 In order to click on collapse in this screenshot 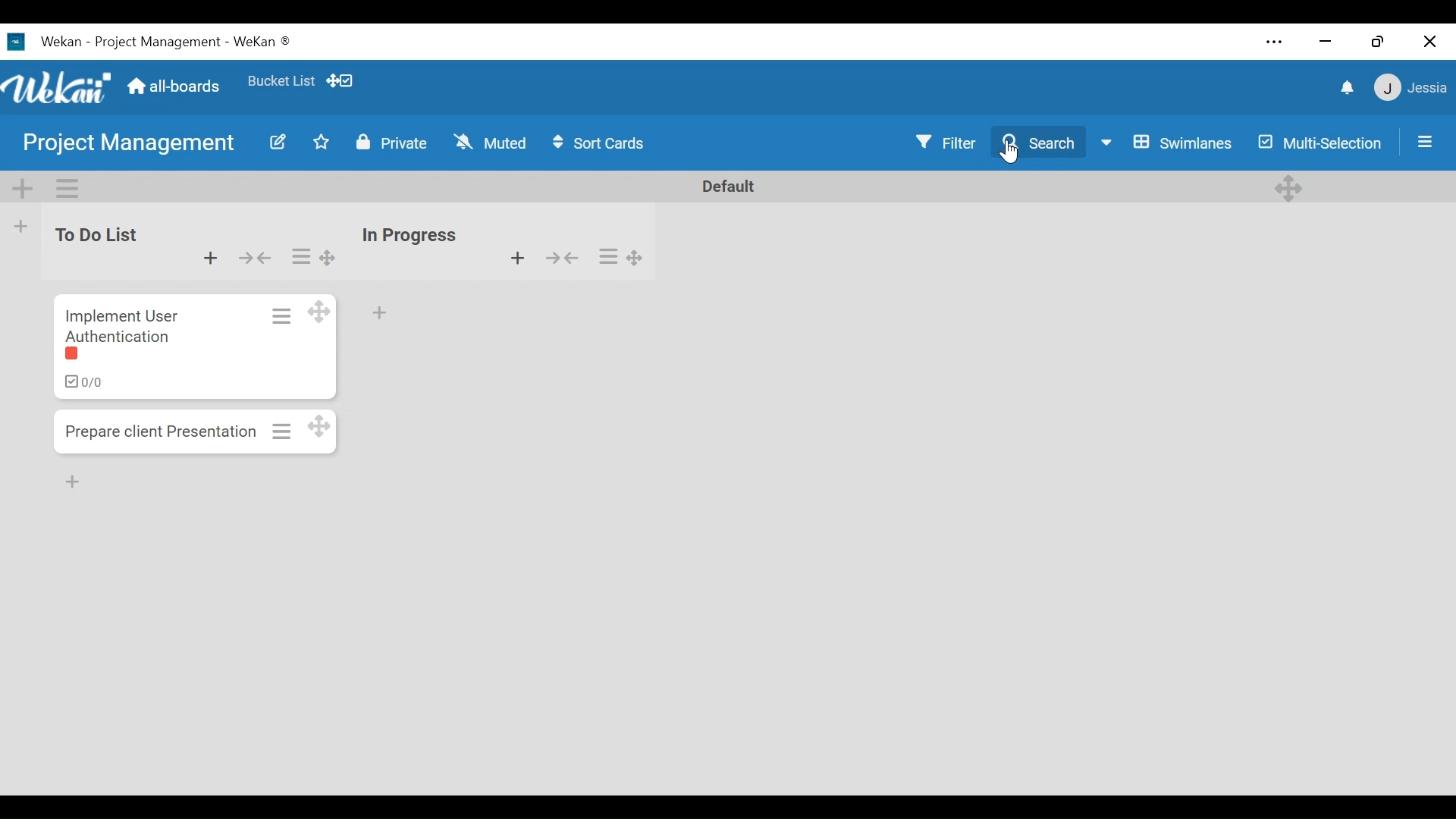, I will do `click(563, 260)`.